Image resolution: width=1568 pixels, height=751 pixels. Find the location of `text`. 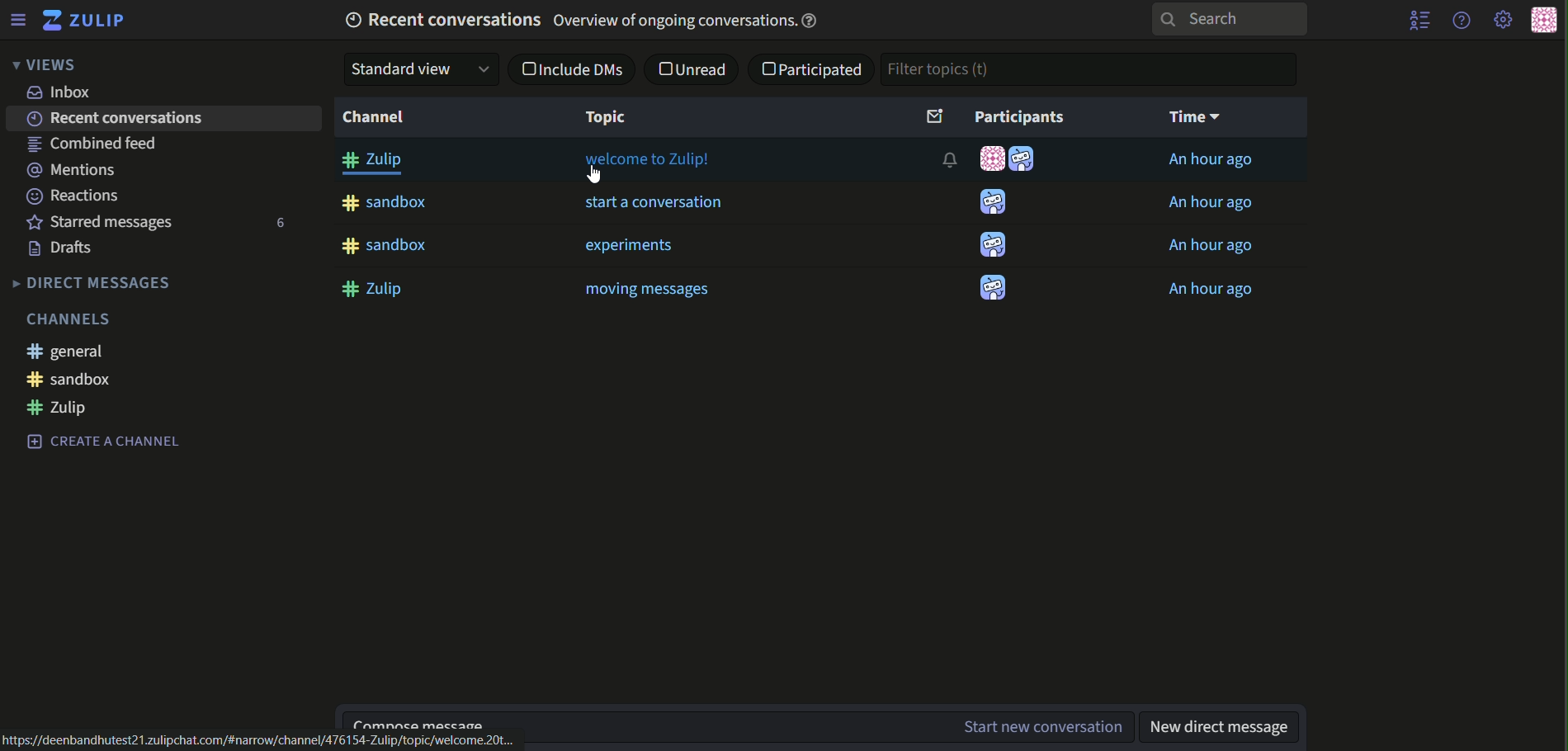

text is located at coordinates (1214, 290).